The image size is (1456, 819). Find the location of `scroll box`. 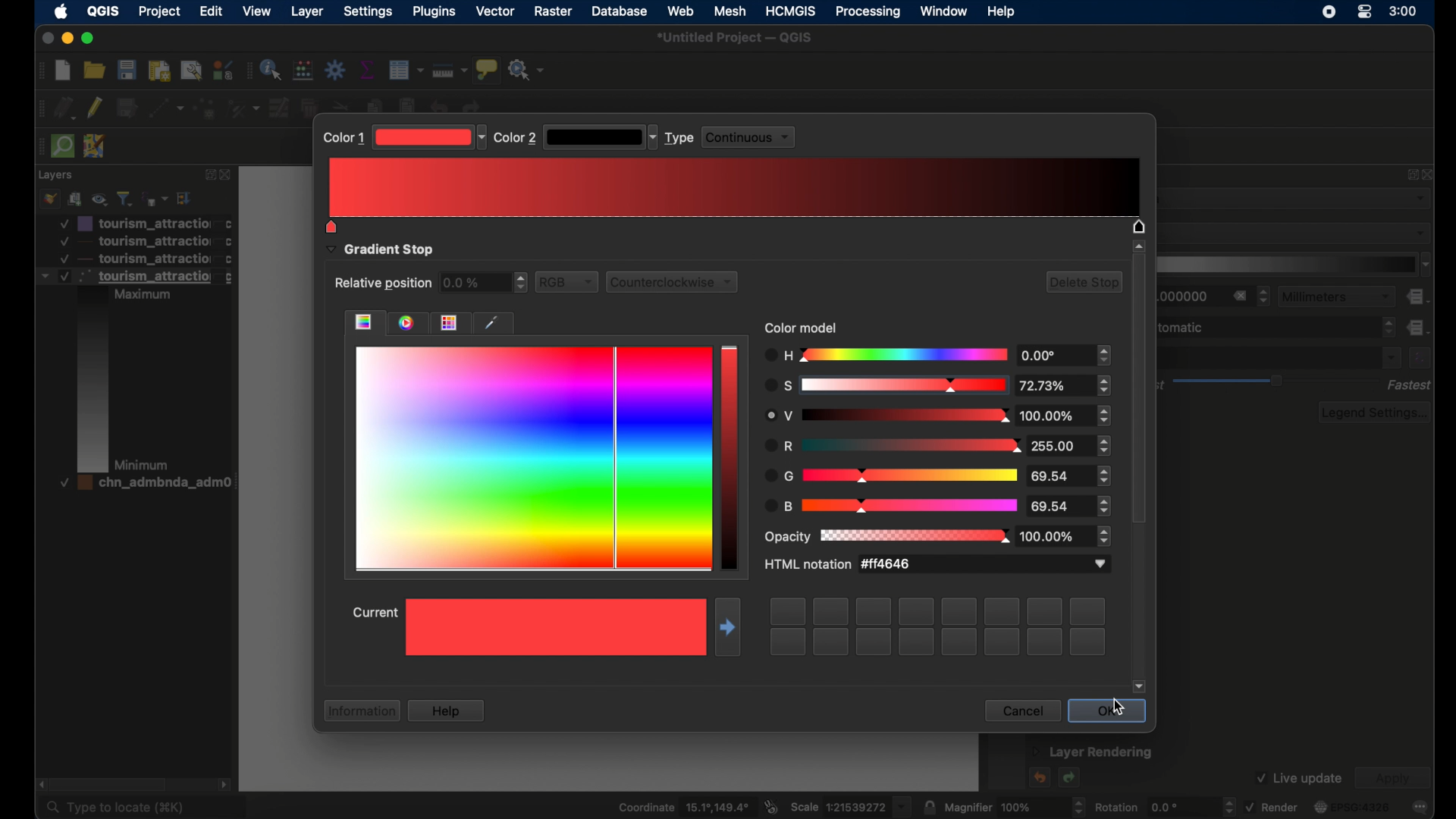

scroll box is located at coordinates (114, 783).